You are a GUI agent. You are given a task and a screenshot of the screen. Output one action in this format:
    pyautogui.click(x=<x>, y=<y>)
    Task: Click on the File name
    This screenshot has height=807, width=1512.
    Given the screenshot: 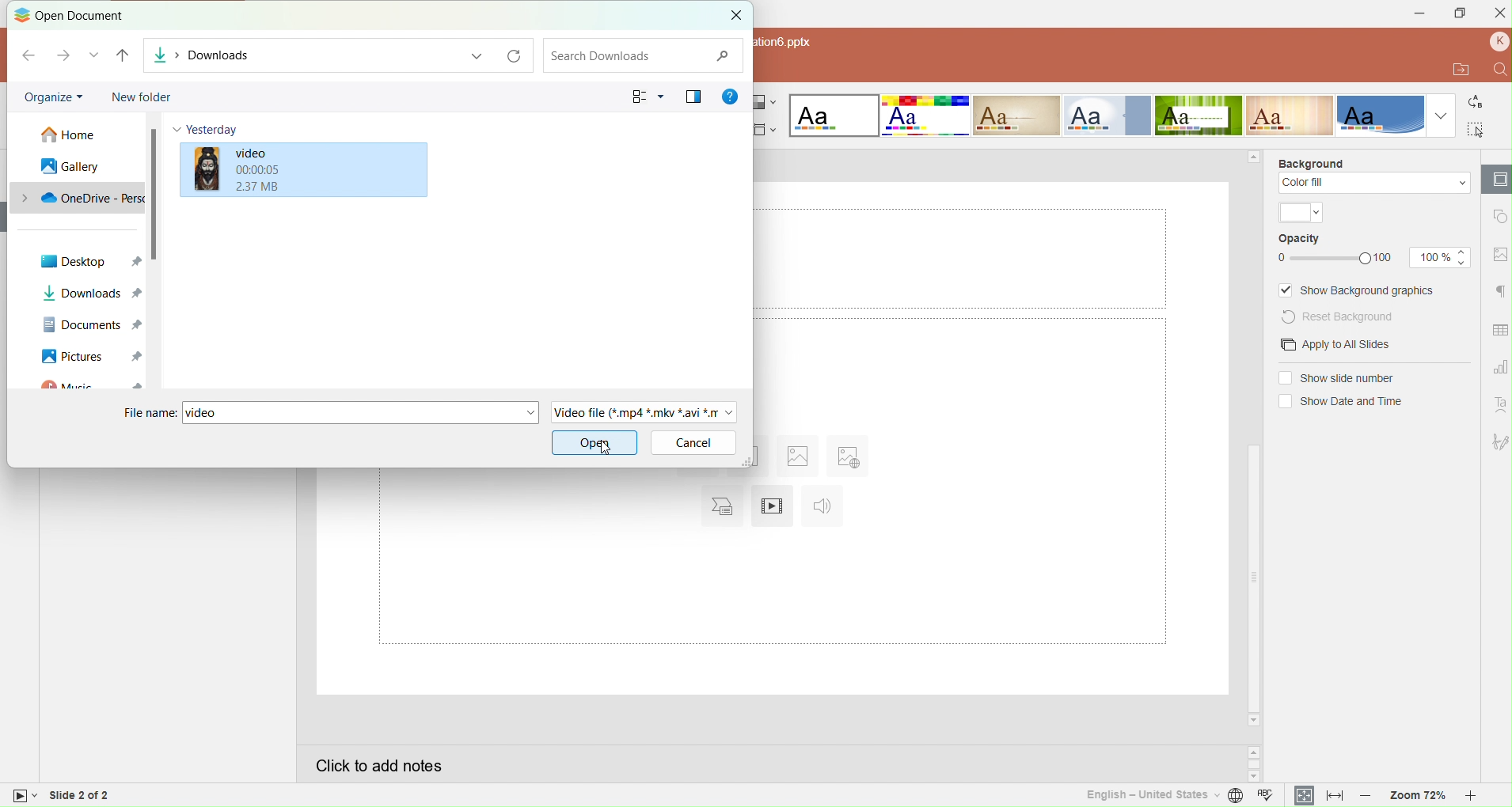 What is the action you would take?
    pyautogui.click(x=150, y=413)
    